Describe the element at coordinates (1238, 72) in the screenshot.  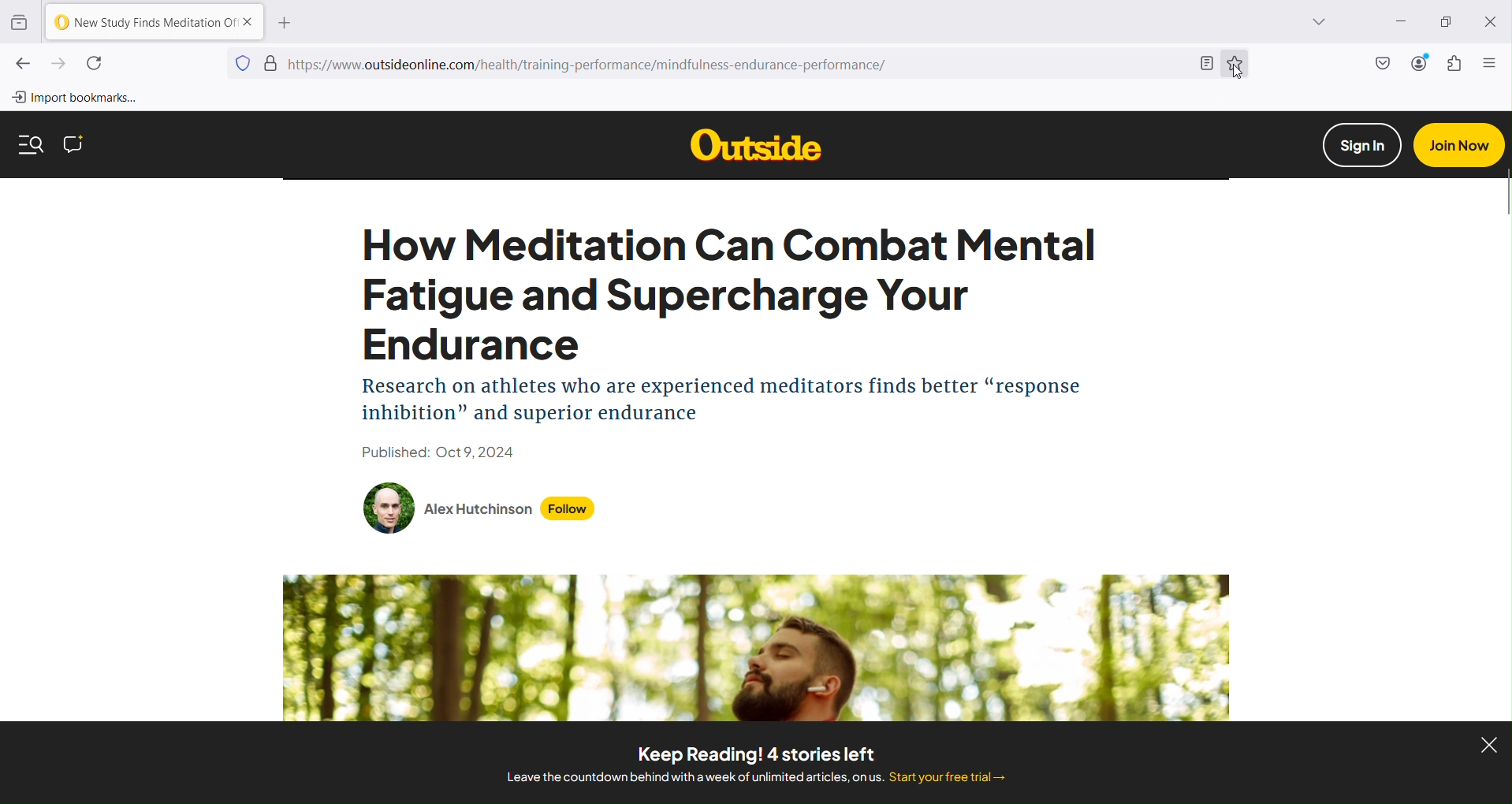
I see `Cursor` at that location.